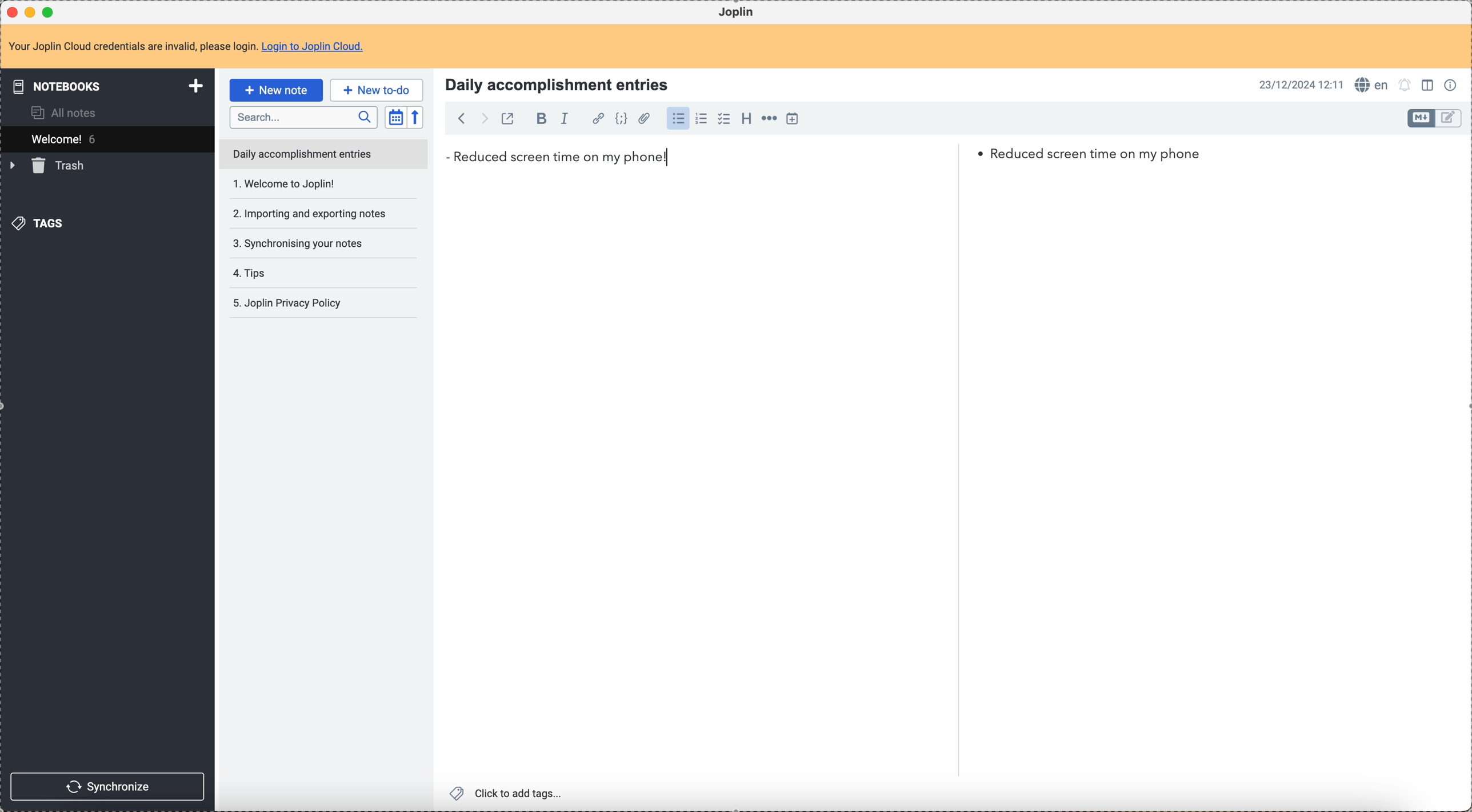 The width and height of the screenshot is (1472, 812). What do you see at coordinates (303, 214) in the screenshot?
I see `synchronising your notes` at bounding box center [303, 214].